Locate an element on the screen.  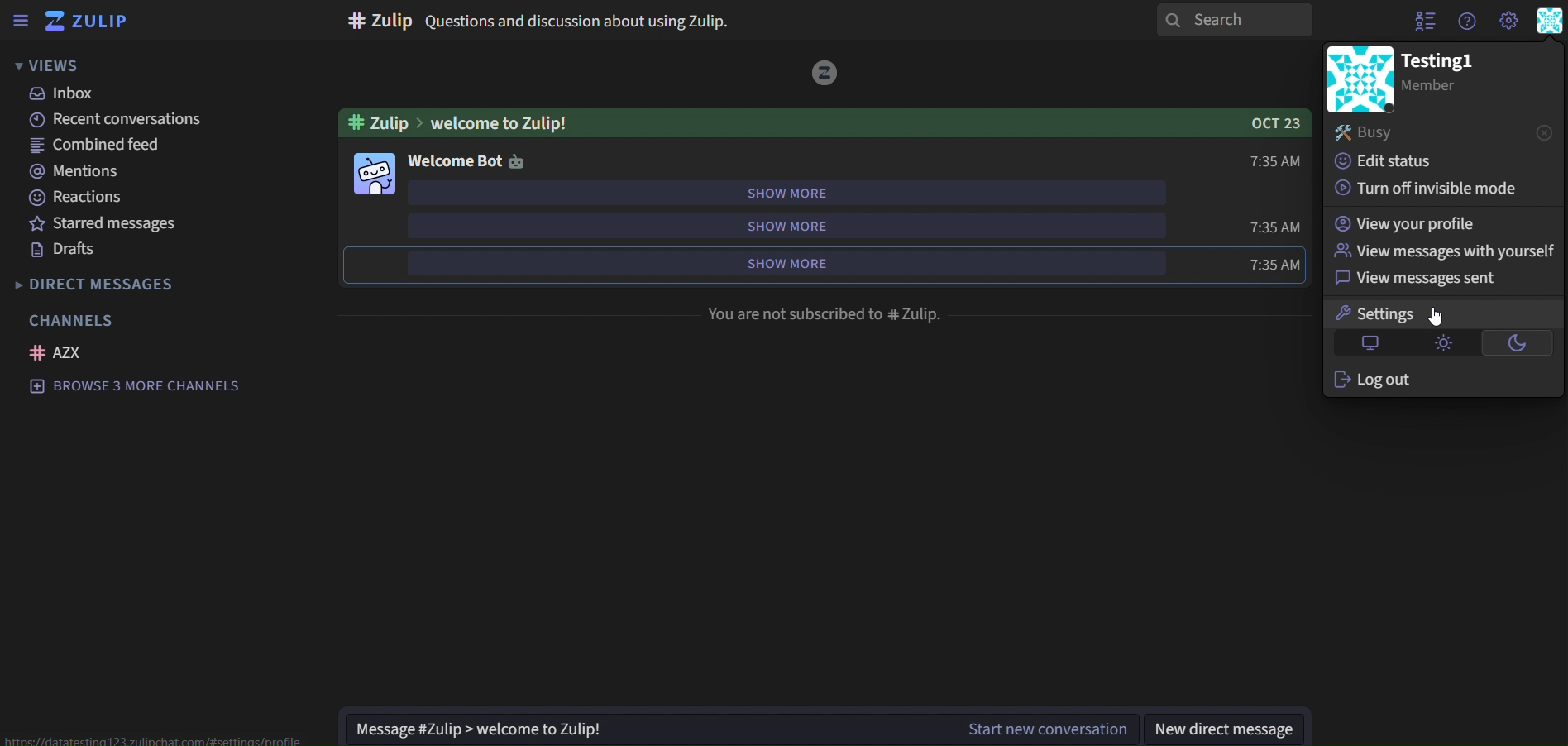
log out is located at coordinates (1379, 378).